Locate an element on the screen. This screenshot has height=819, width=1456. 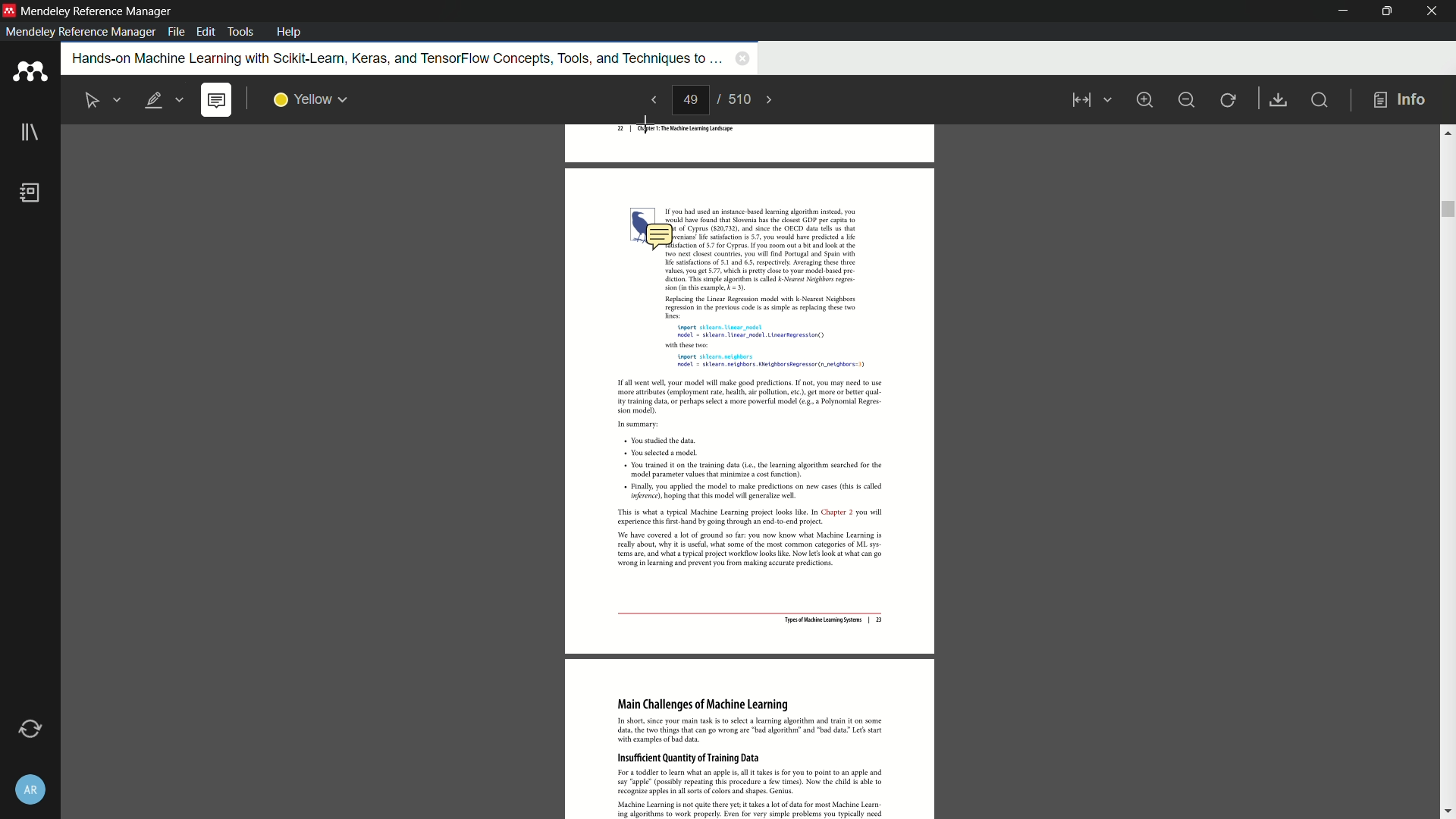
sync is located at coordinates (28, 730).